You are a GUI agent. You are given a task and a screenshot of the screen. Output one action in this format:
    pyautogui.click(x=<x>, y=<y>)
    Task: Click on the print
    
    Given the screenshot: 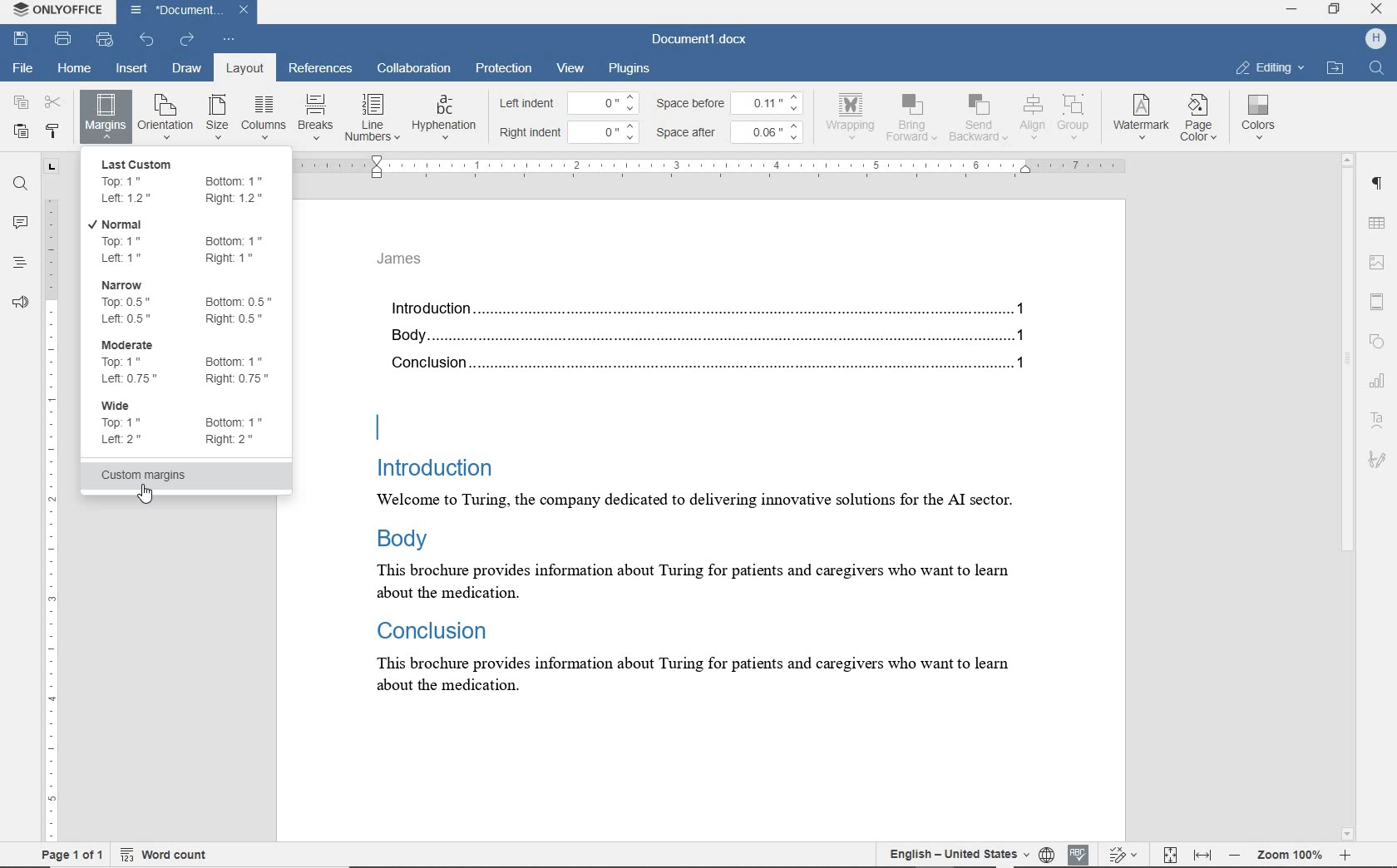 What is the action you would take?
    pyautogui.click(x=63, y=38)
    